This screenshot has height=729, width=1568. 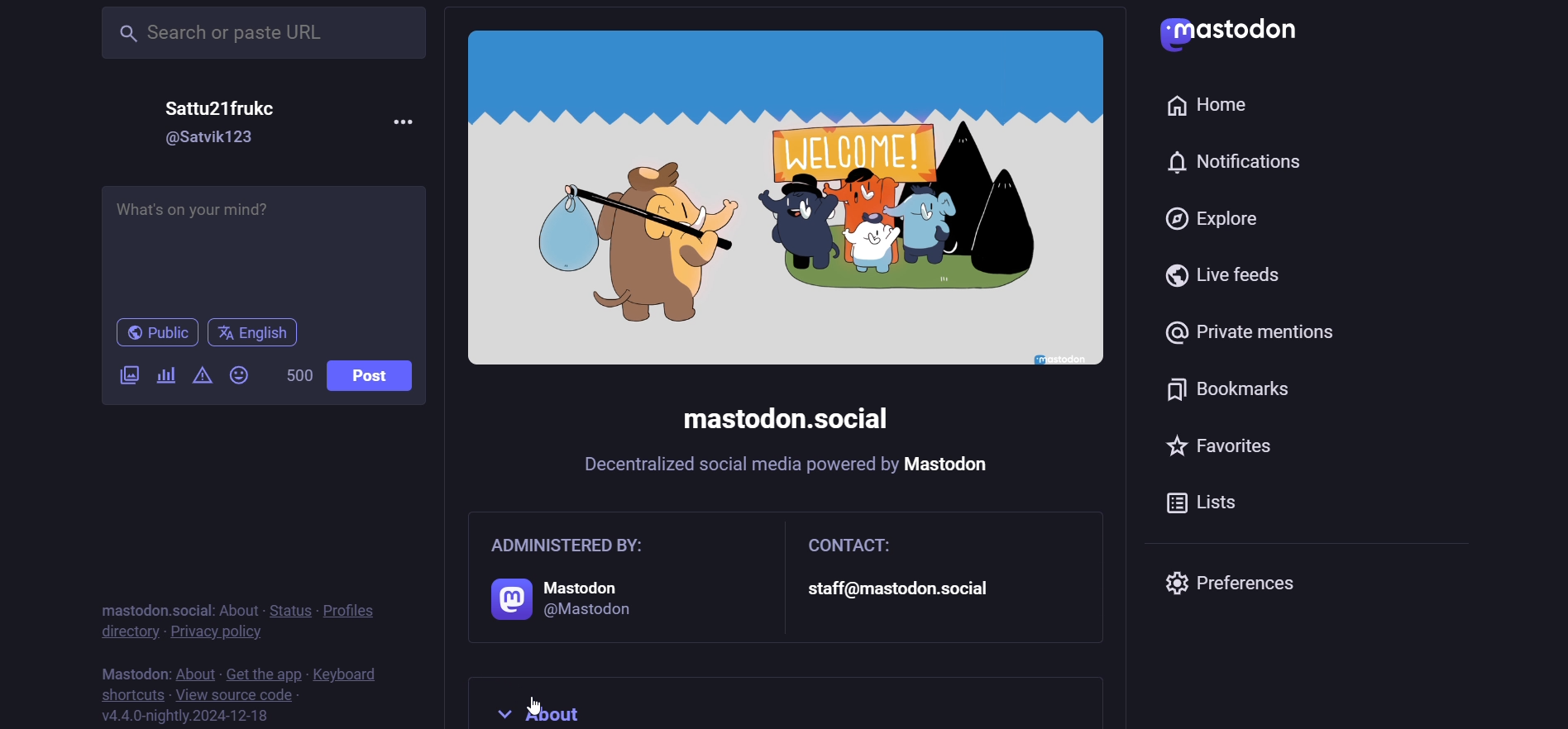 What do you see at coordinates (404, 119) in the screenshot?
I see `more` at bounding box center [404, 119].